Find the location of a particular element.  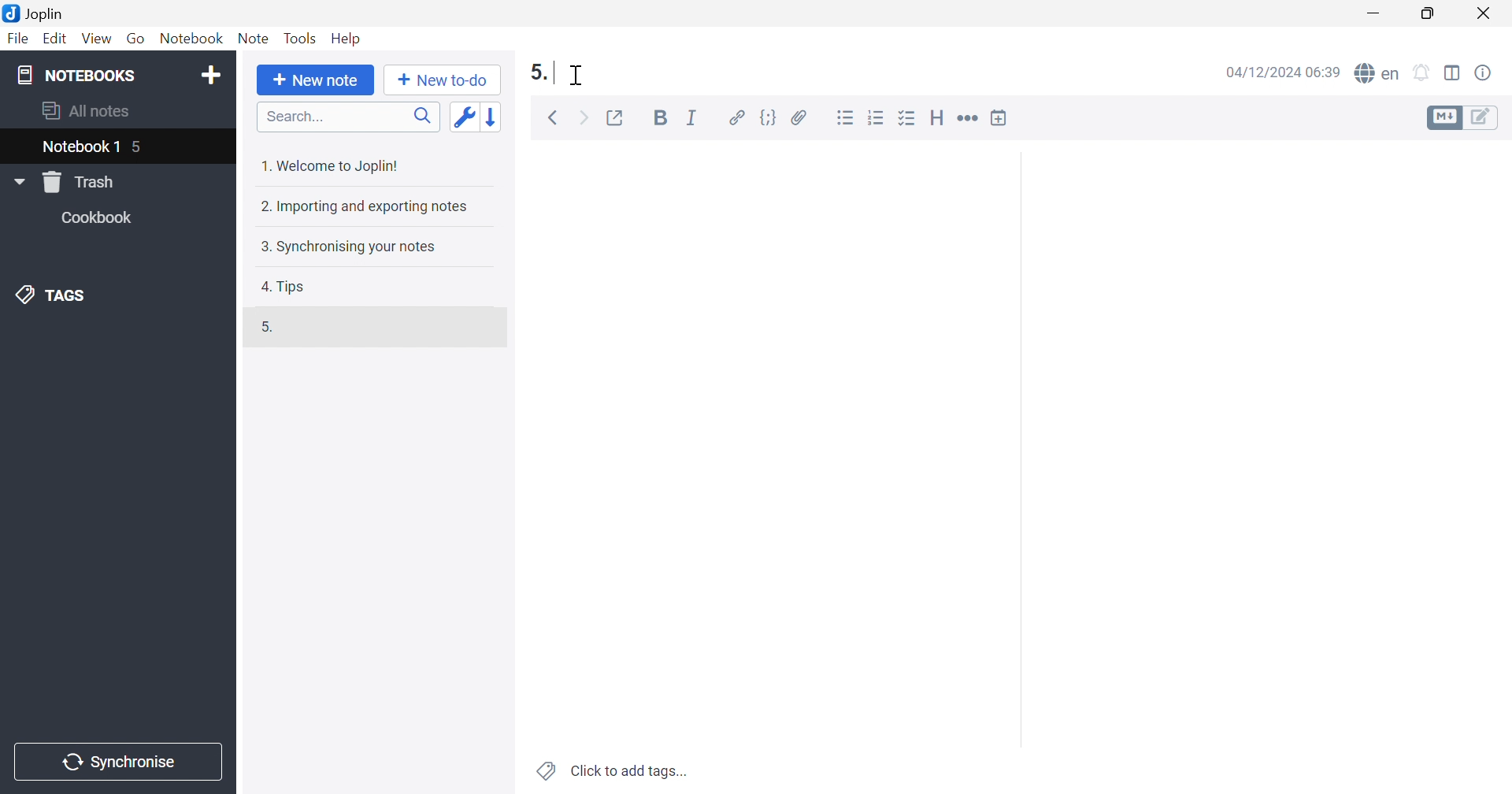

Toggle editors is located at coordinates (1466, 119).